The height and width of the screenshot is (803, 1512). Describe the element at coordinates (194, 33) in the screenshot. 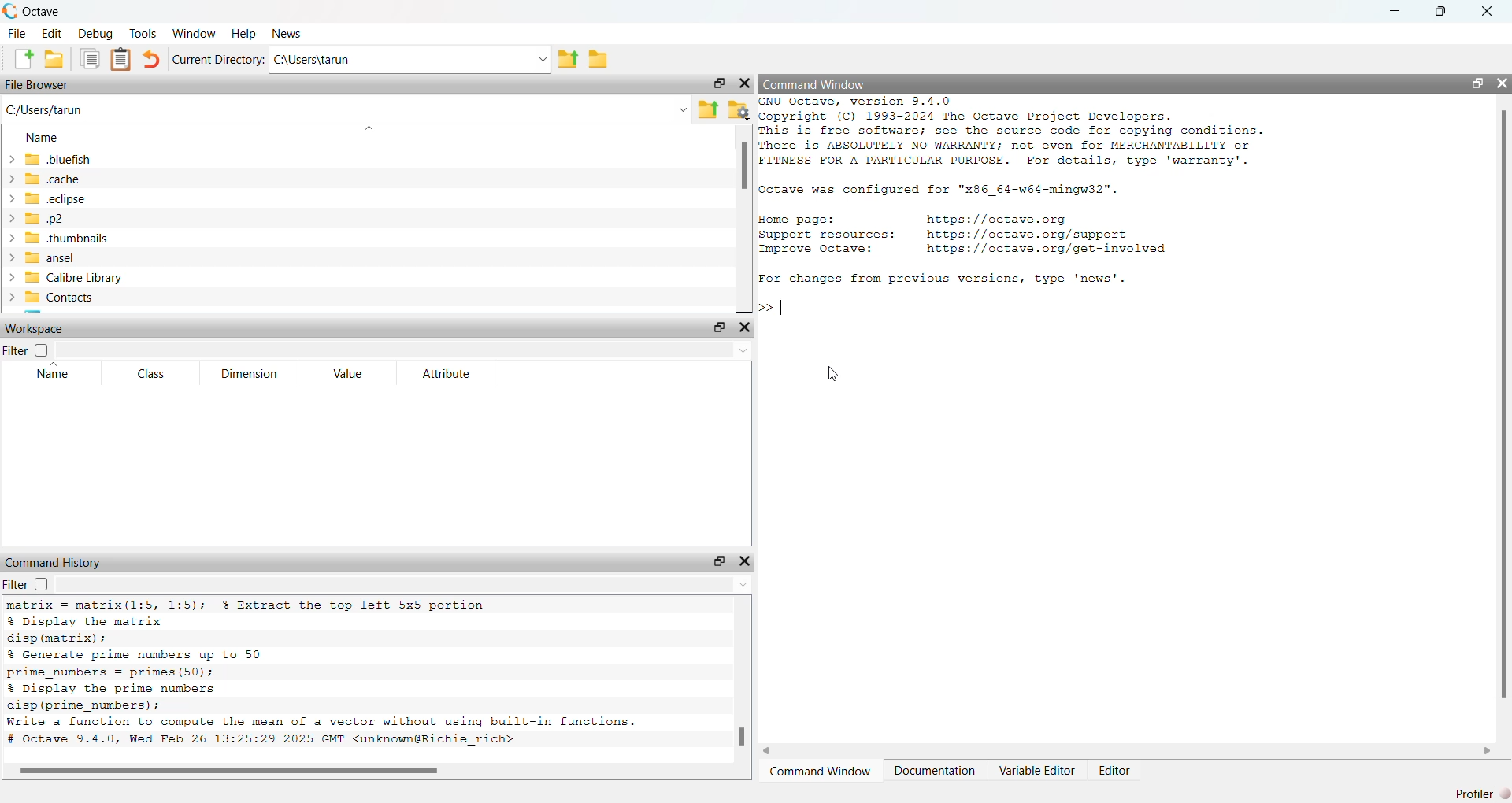

I see `window` at that location.